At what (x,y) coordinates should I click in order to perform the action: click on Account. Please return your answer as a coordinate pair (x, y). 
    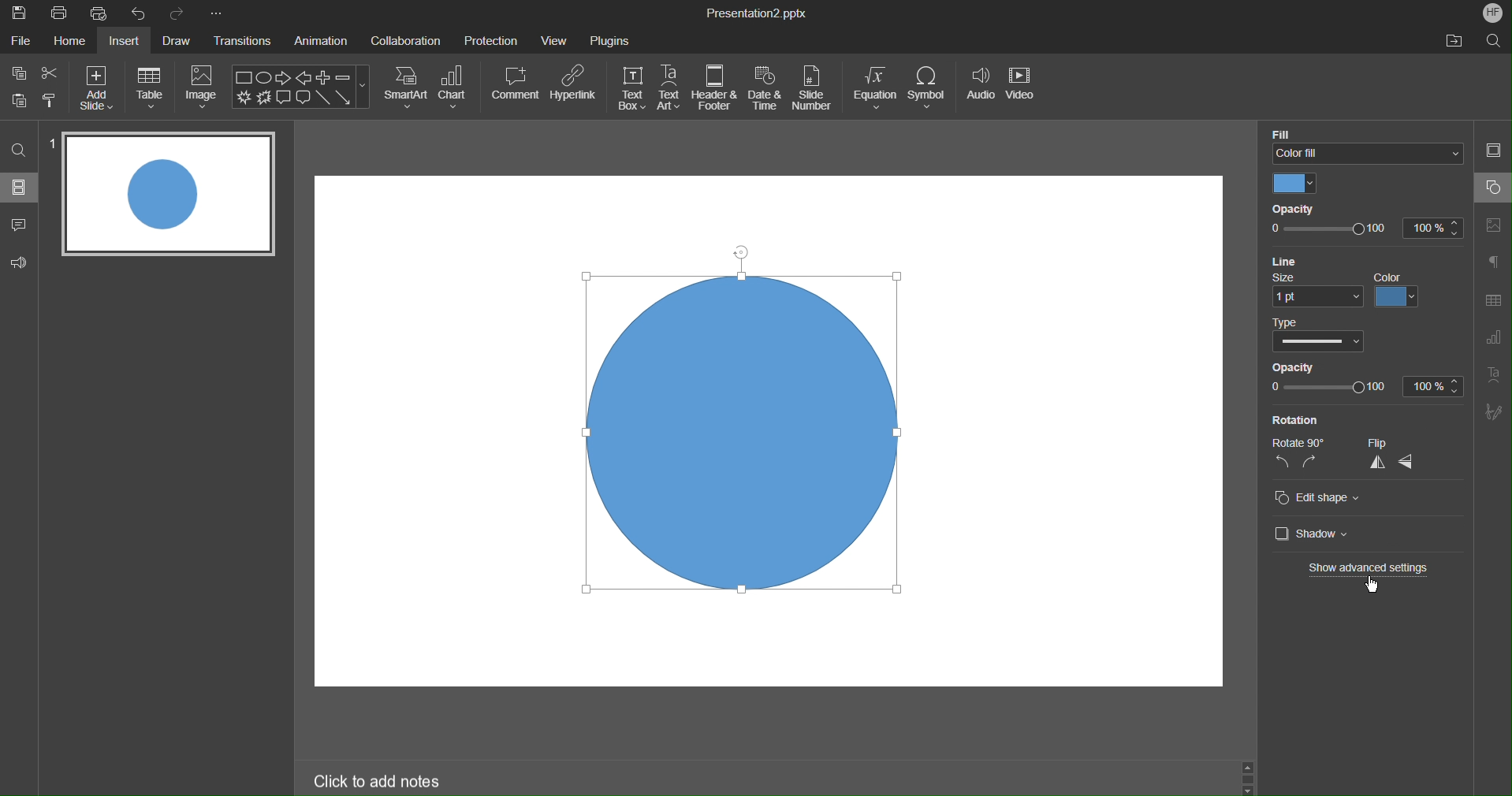
    Looking at the image, I should click on (1490, 12).